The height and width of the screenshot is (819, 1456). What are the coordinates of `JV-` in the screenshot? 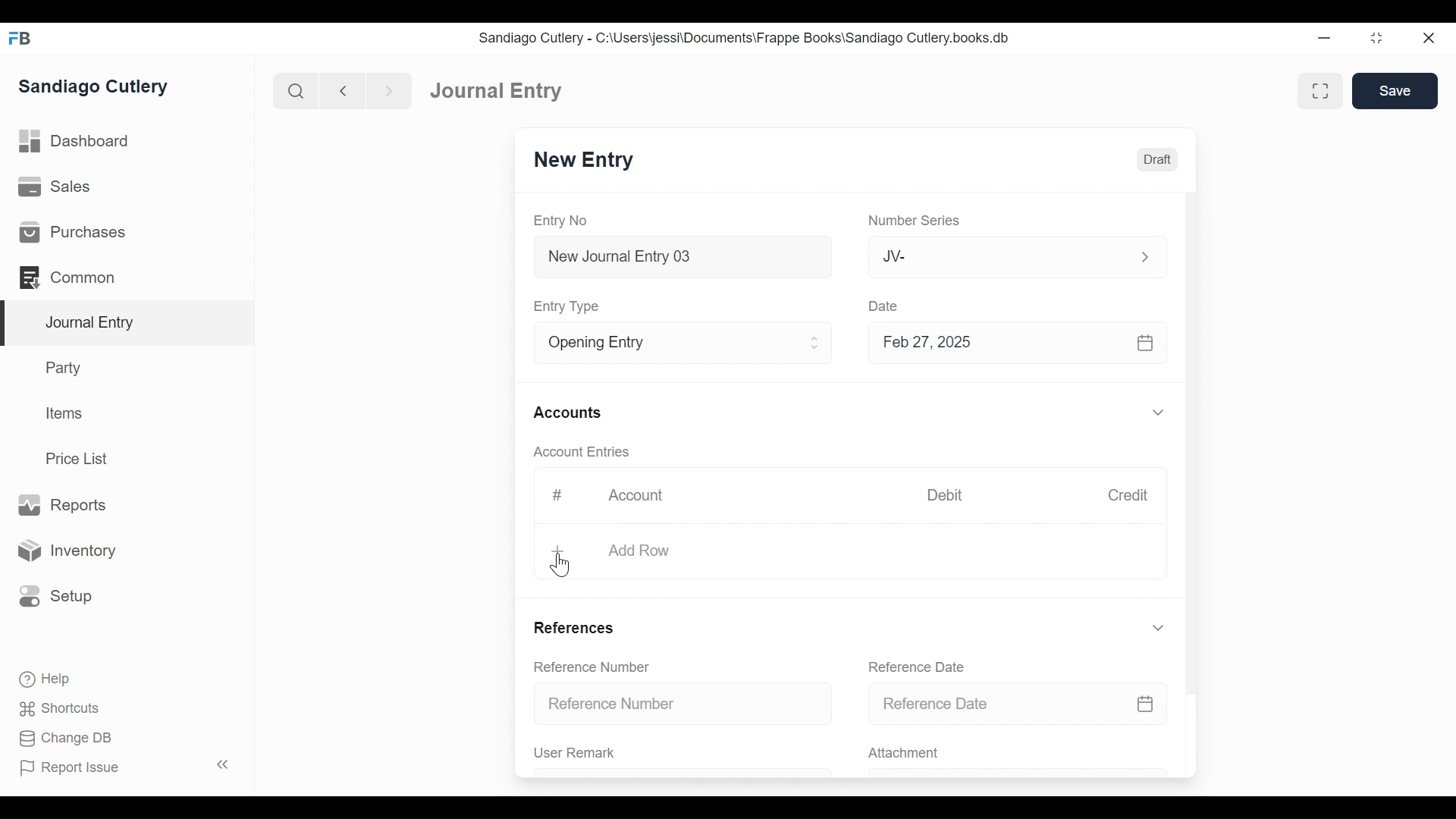 It's located at (990, 256).